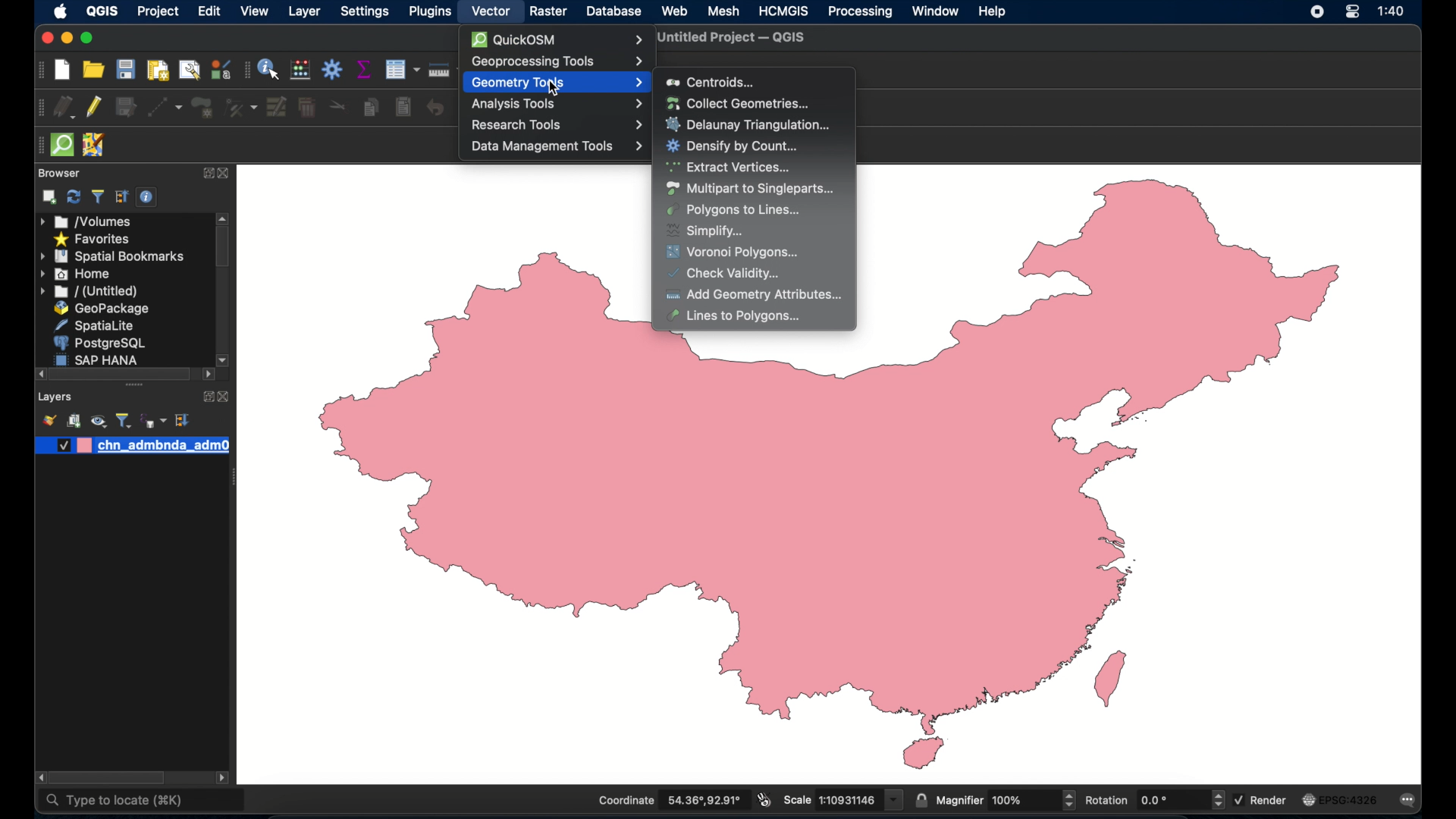 The height and width of the screenshot is (819, 1456). What do you see at coordinates (556, 148) in the screenshot?
I see `data management tools menu` at bounding box center [556, 148].